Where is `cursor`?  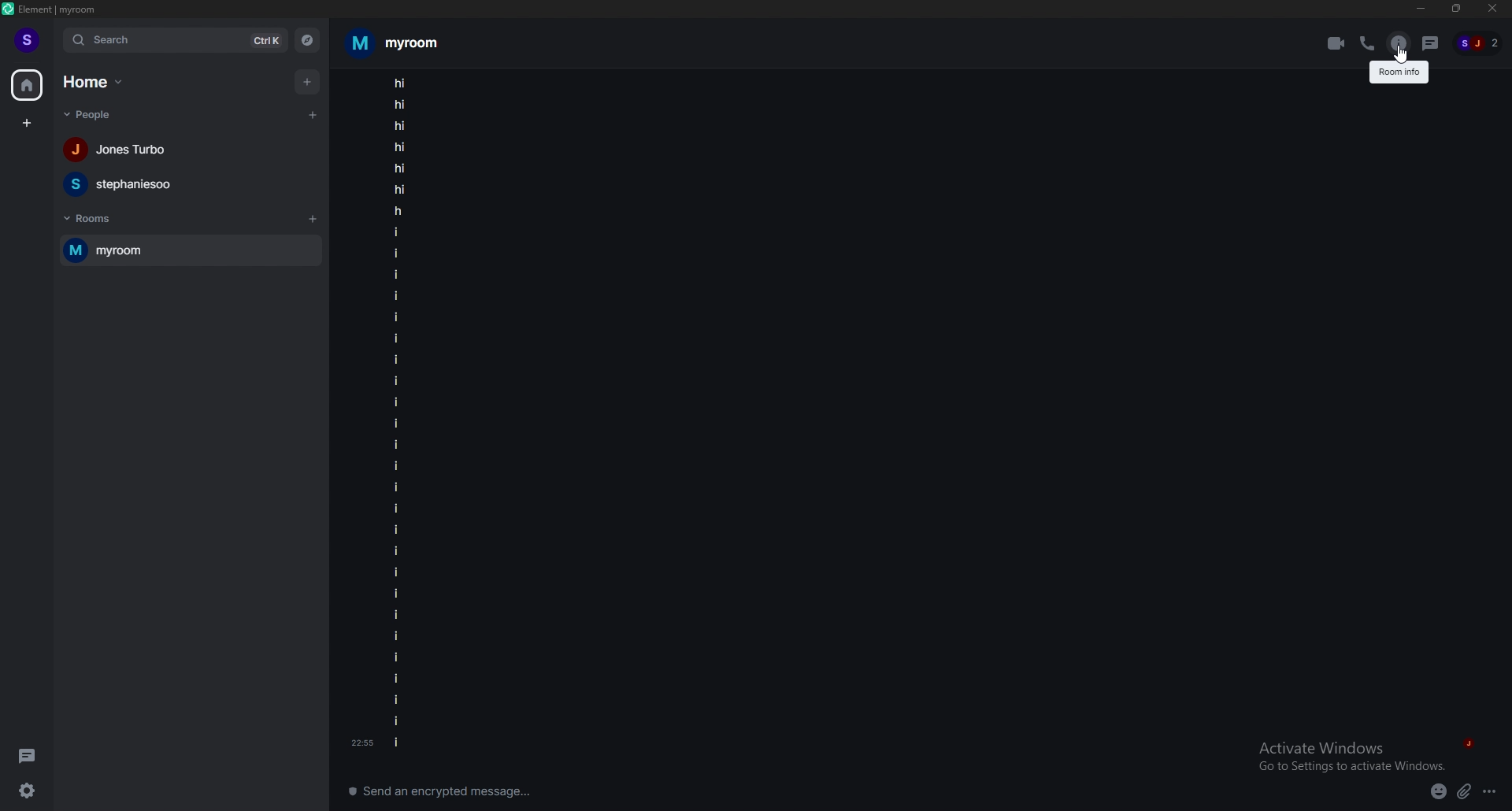 cursor is located at coordinates (1397, 55).